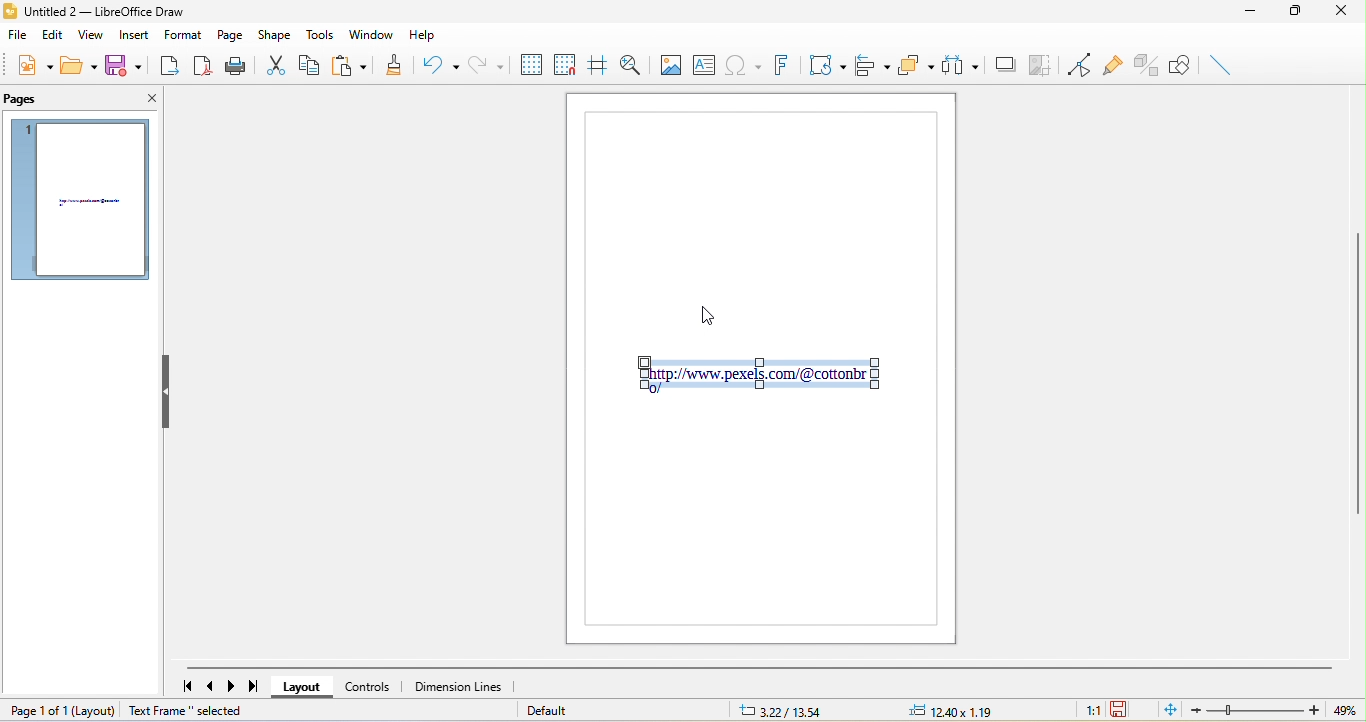 Image resolution: width=1366 pixels, height=722 pixels. What do you see at coordinates (1131, 711) in the screenshot?
I see `the document has not been modified since the last save` at bounding box center [1131, 711].